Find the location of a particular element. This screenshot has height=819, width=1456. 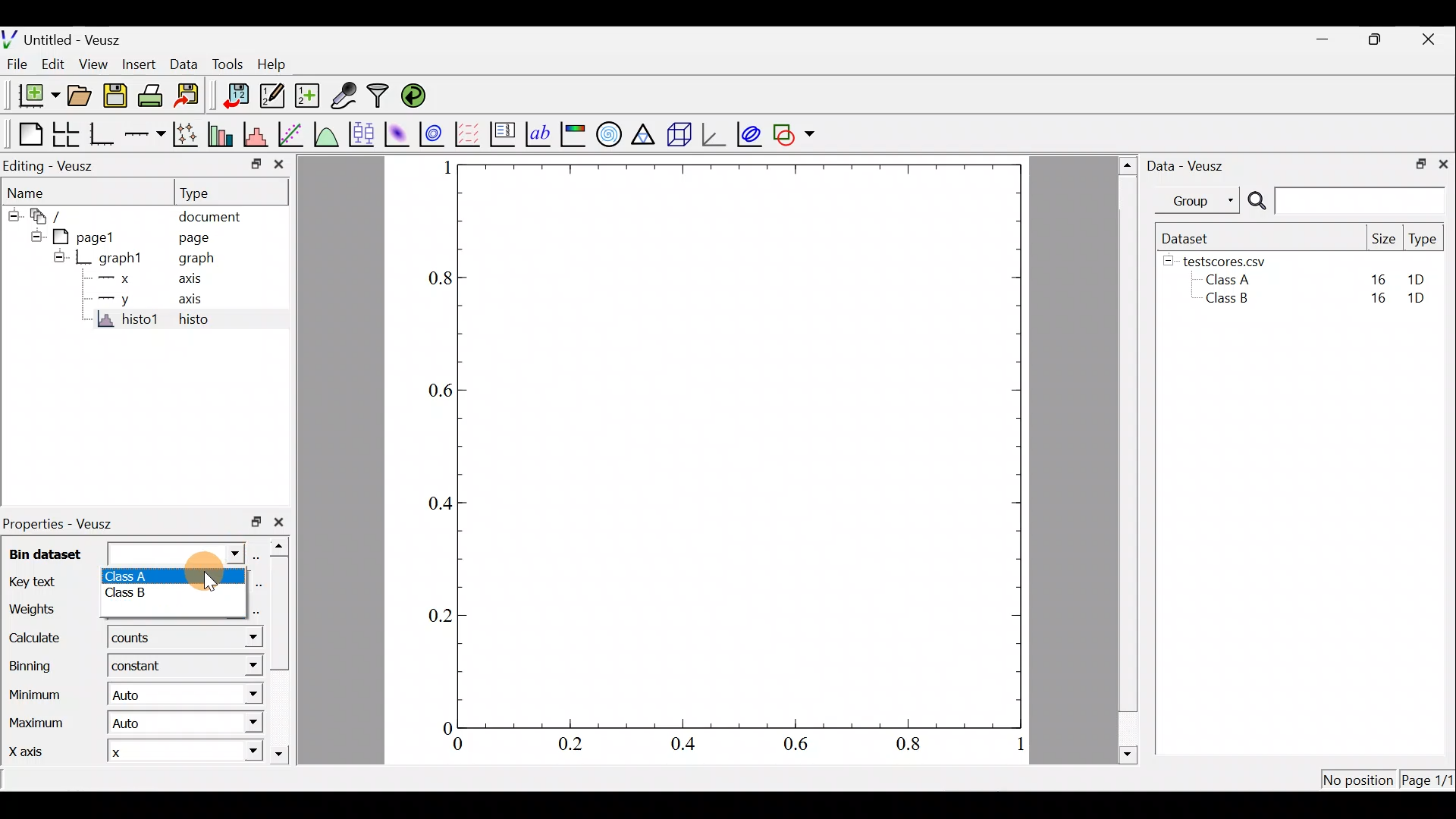

document is located at coordinates (218, 217).